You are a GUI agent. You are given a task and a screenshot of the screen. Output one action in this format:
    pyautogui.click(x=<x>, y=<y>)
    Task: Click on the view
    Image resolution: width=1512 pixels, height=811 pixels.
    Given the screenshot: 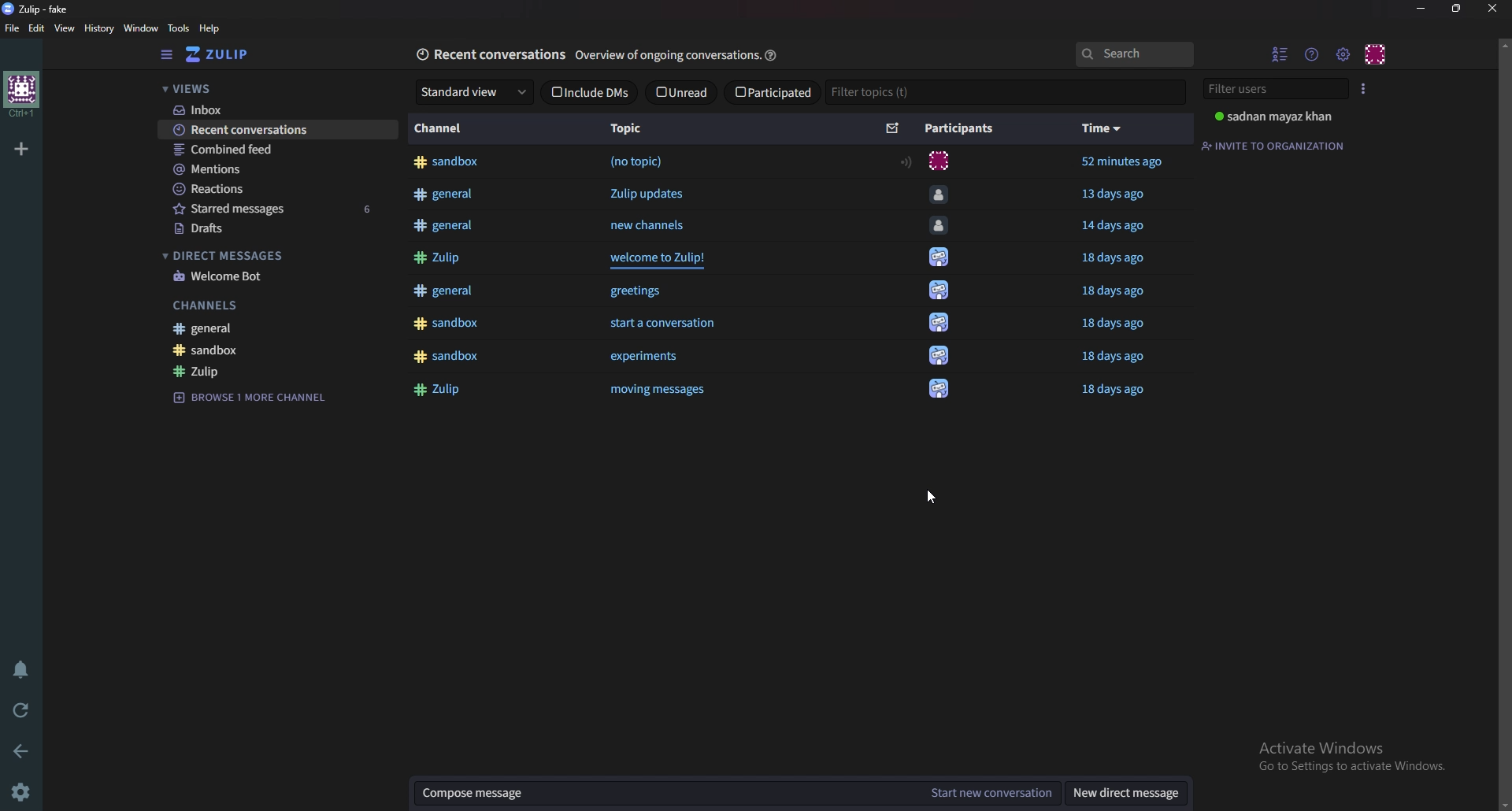 What is the action you would take?
    pyautogui.click(x=66, y=28)
    